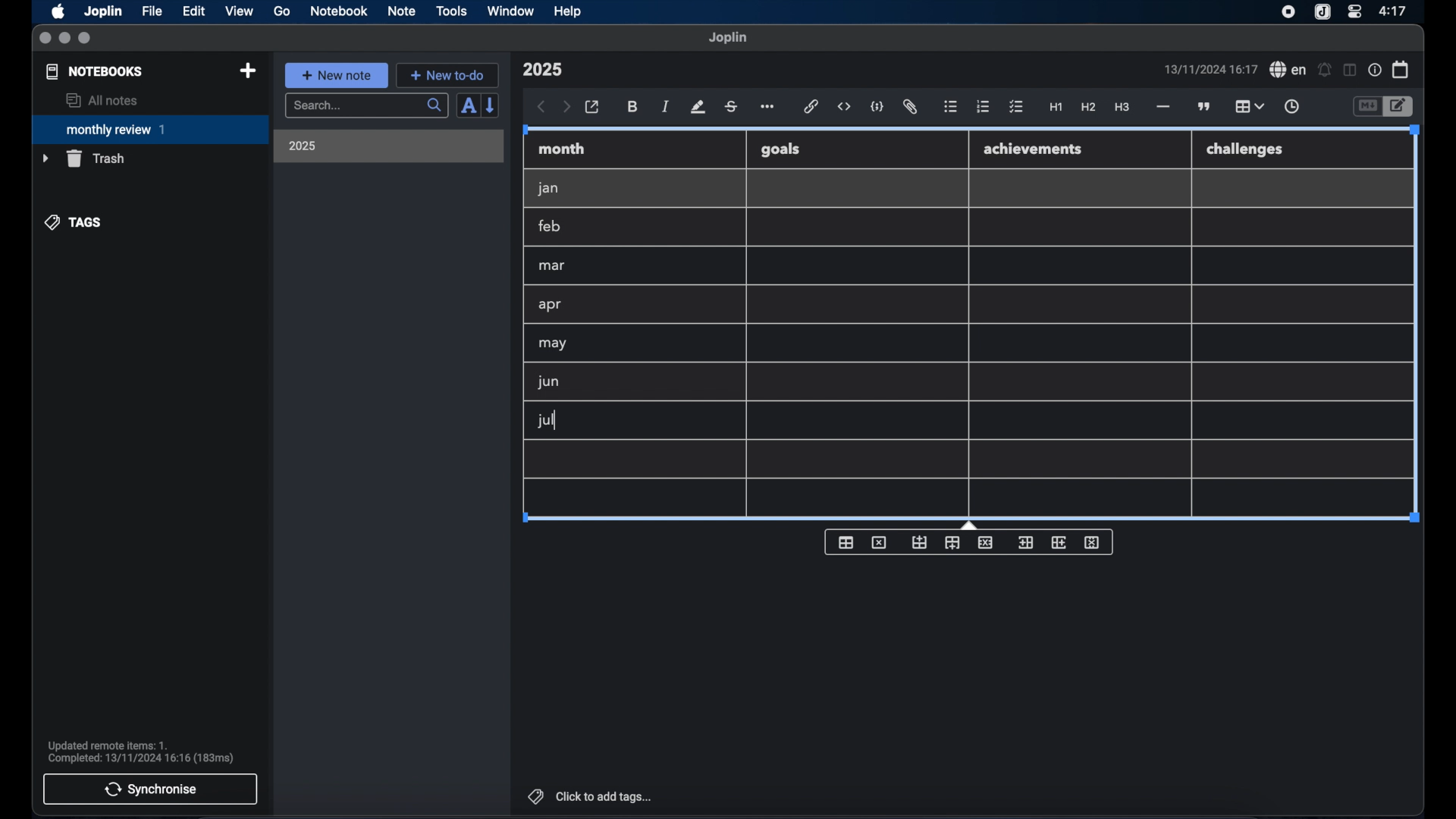 The image size is (1456, 819). What do you see at coordinates (1354, 11) in the screenshot?
I see `control center` at bounding box center [1354, 11].